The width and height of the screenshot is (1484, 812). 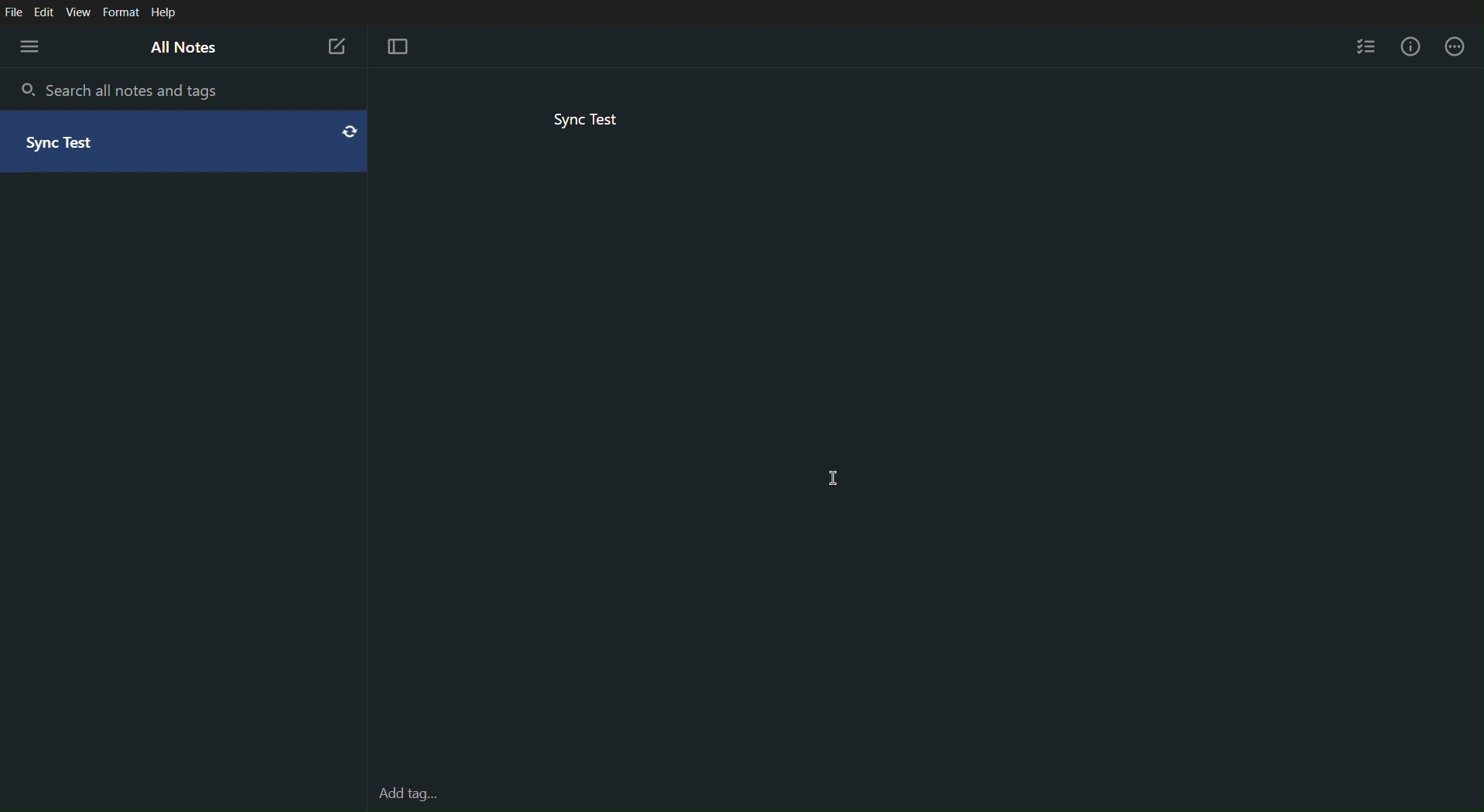 I want to click on Format , so click(x=122, y=11).